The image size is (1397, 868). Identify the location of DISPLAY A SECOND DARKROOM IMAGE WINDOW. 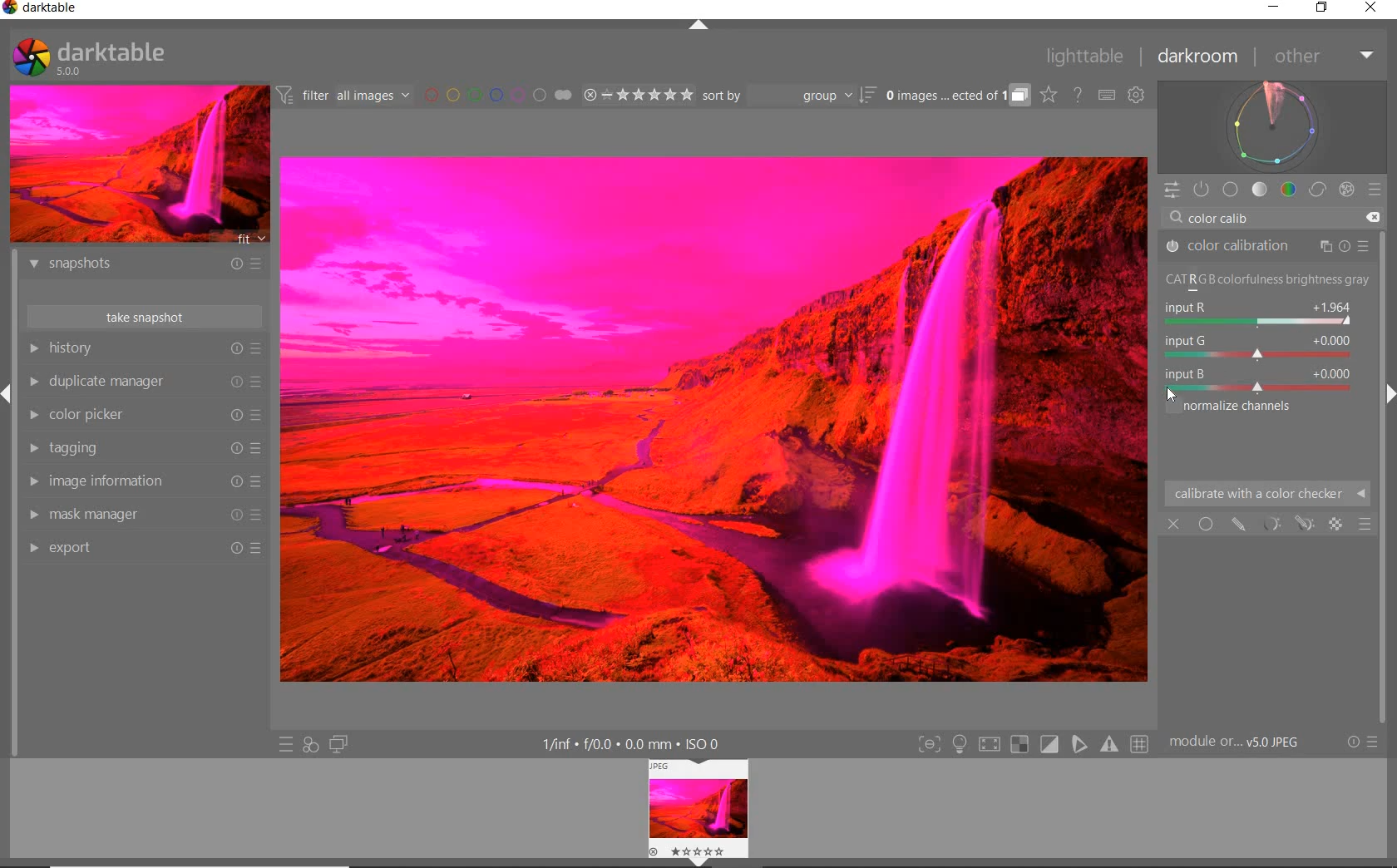
(339, 744).